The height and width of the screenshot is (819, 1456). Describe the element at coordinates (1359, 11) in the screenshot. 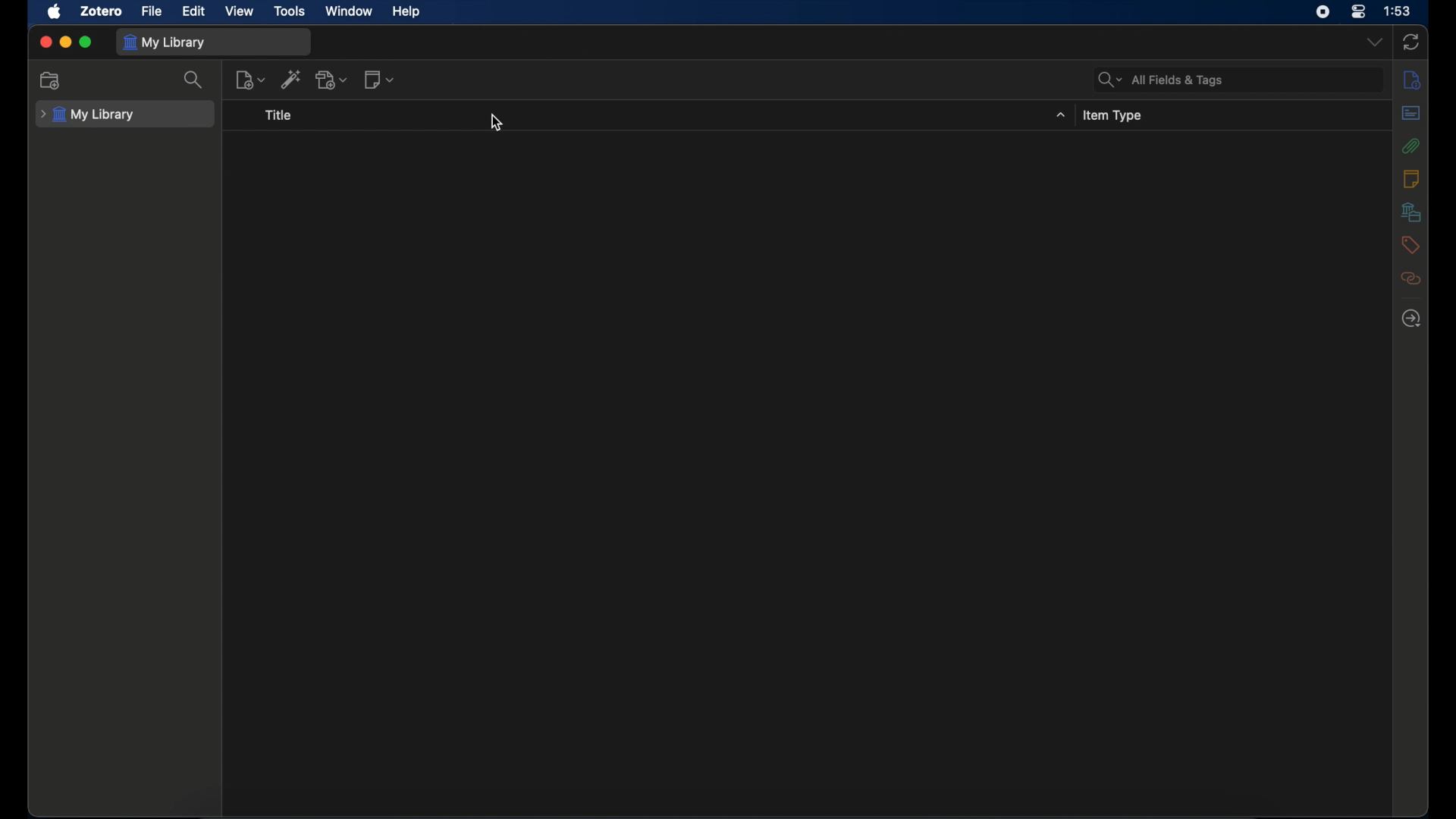

I see `control center` at that location.